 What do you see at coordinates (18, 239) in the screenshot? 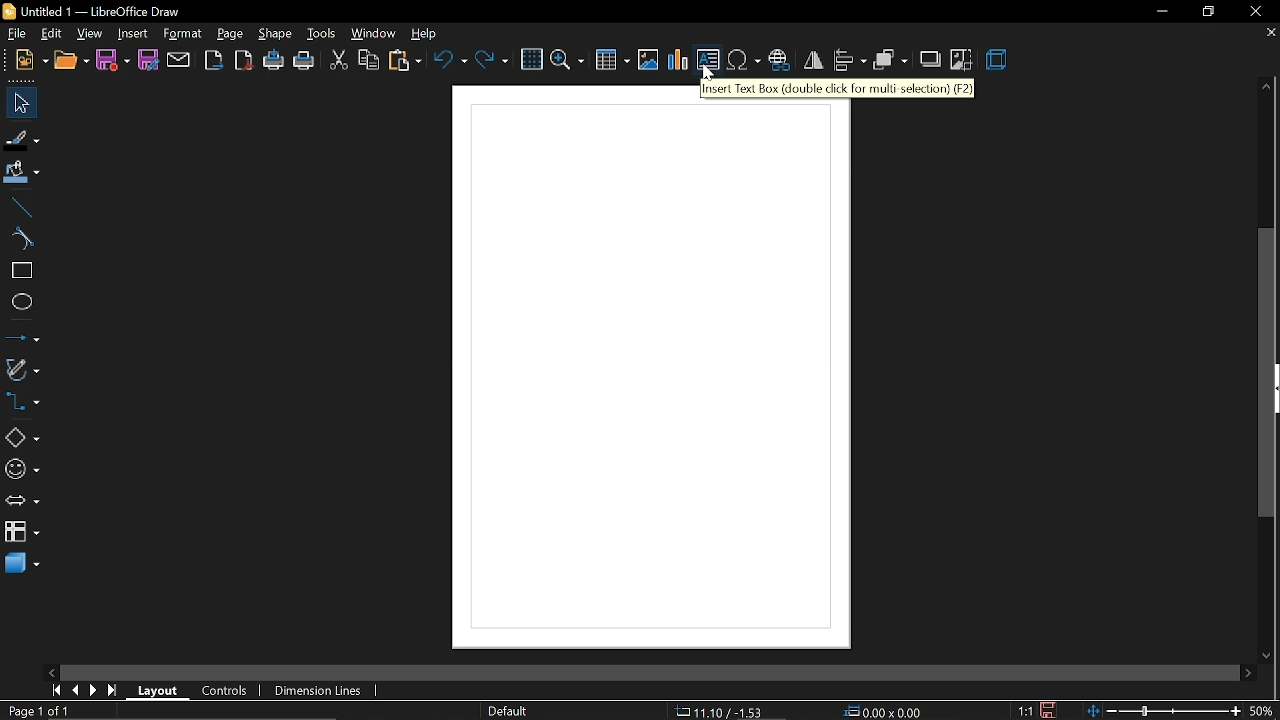
I see `curve` at bounding box center [18, 239].